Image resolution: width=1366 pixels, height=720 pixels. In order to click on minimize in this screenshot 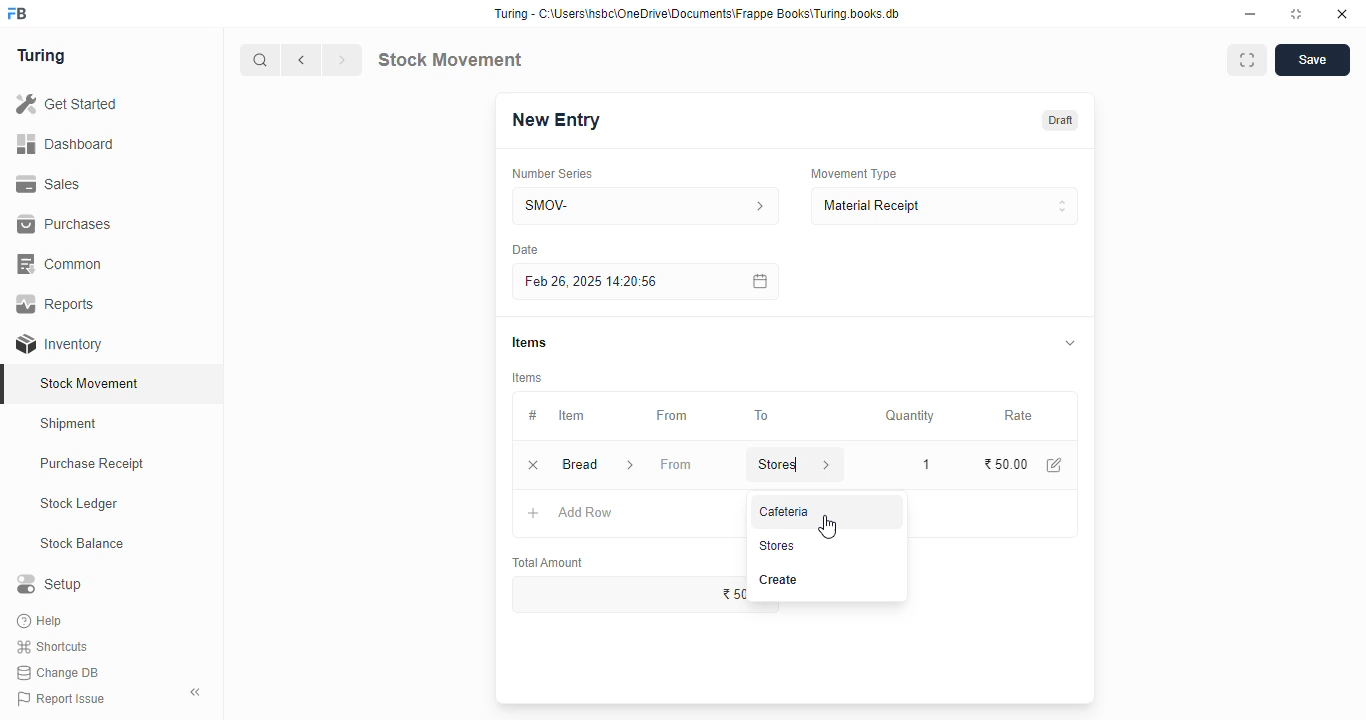, I will do `click(1250, 15)`.